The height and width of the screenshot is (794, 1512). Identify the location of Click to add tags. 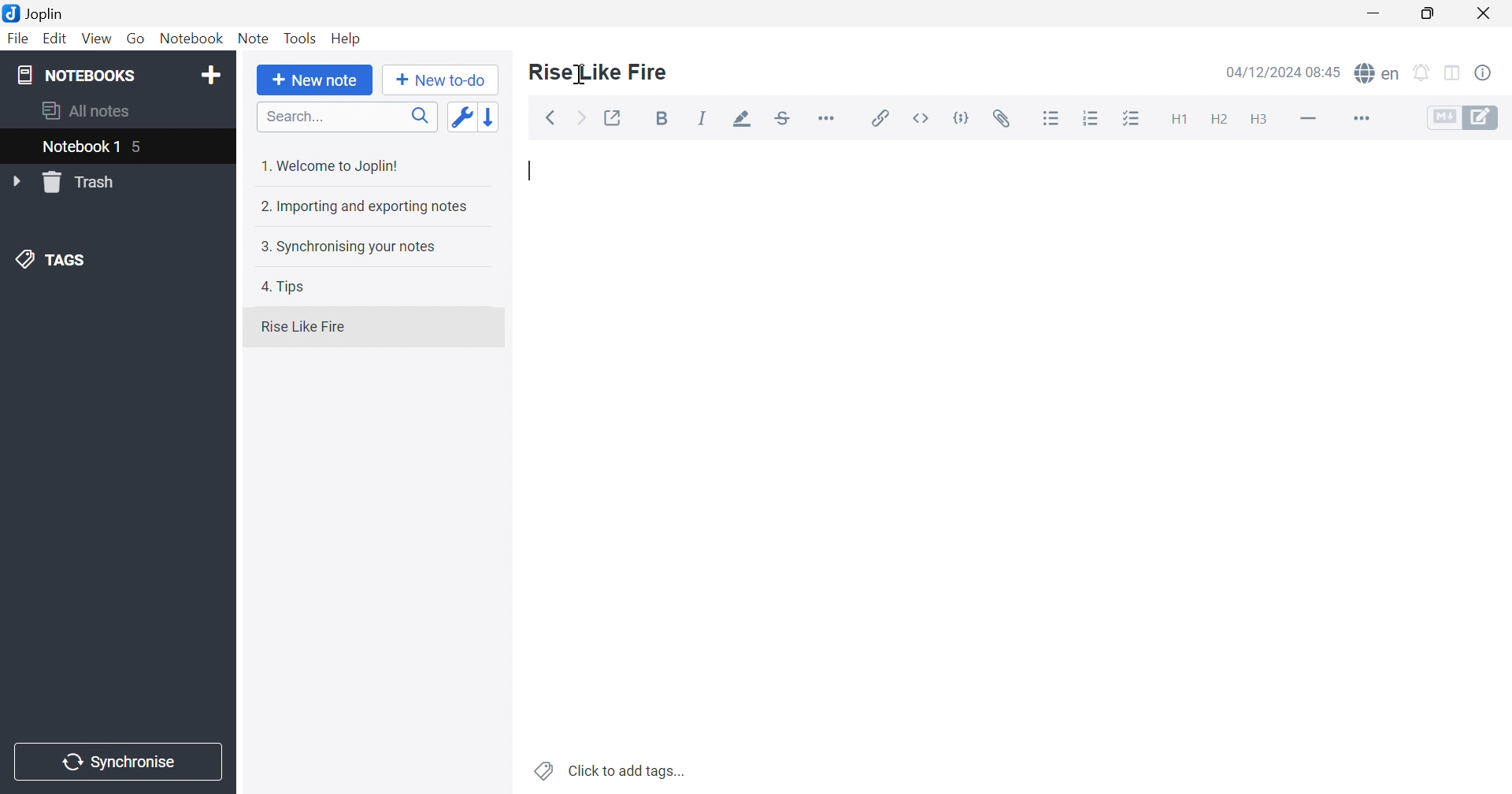
(606, 770).